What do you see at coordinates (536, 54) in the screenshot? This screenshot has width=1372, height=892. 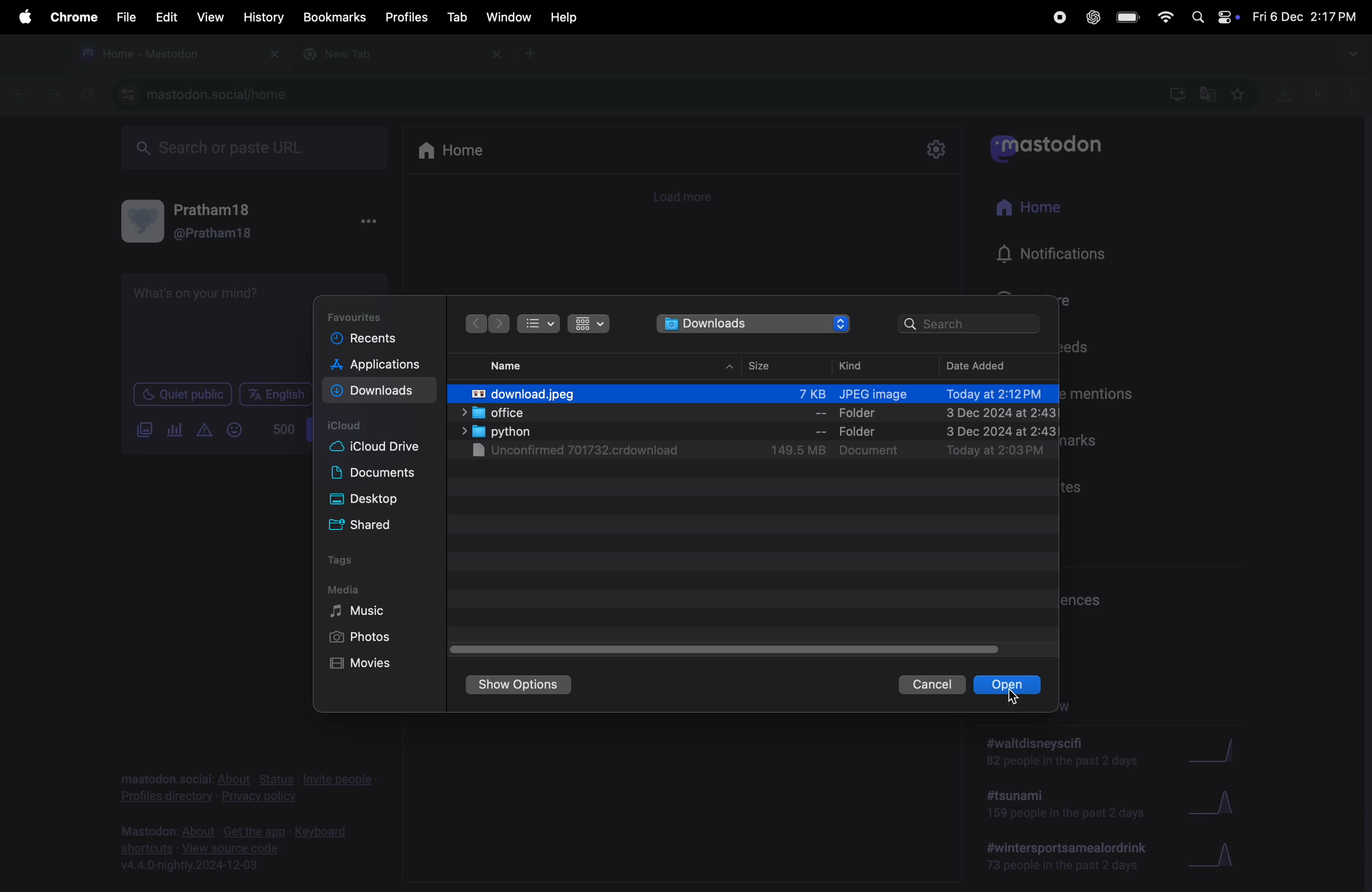 I see `new tab` at bounding box center [536, 54].